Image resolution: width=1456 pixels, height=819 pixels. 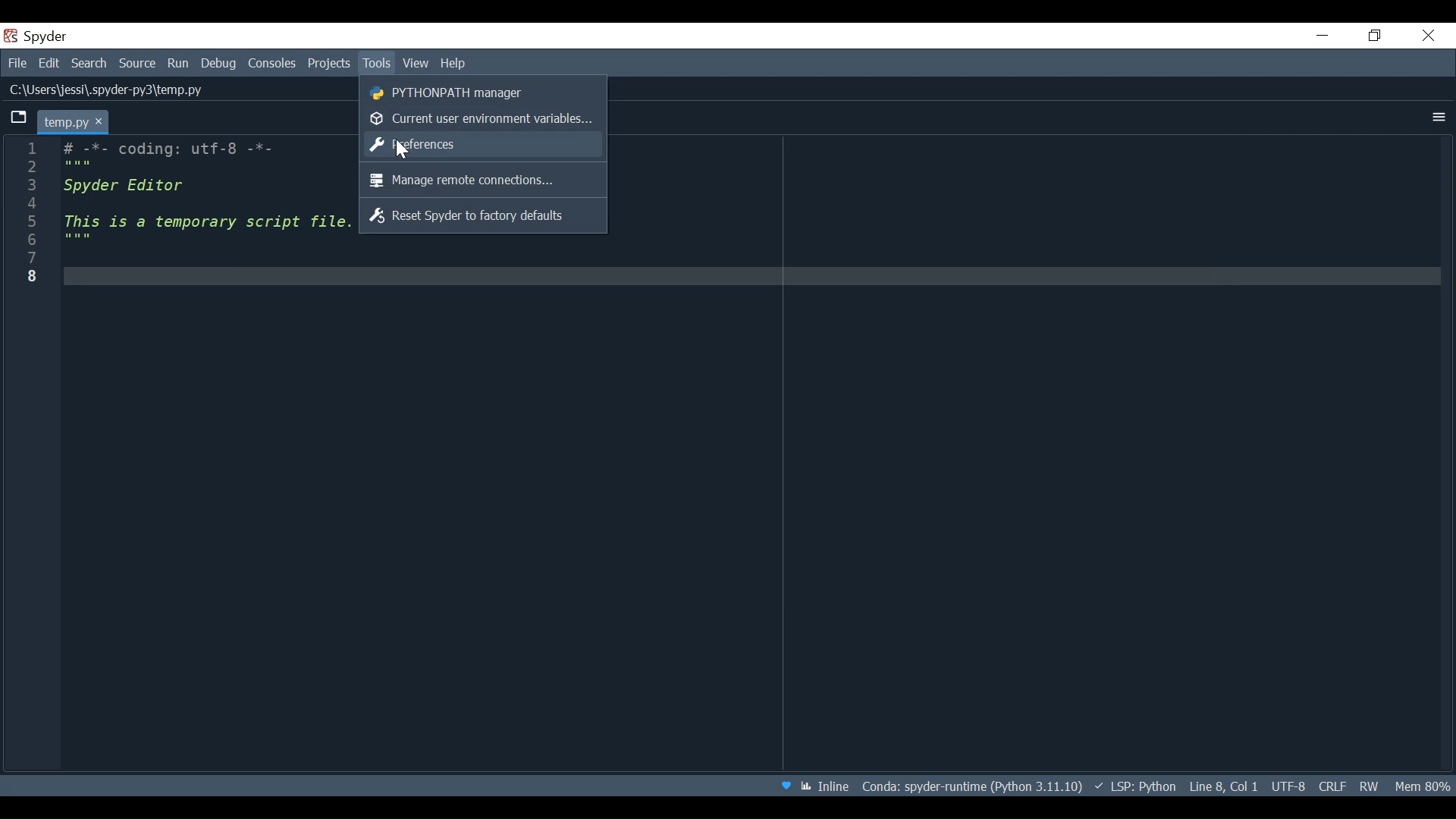 What do you see at coordinates (479, 145) in the screenshot?
I see `Preferences` at bounding box center [479, 145].